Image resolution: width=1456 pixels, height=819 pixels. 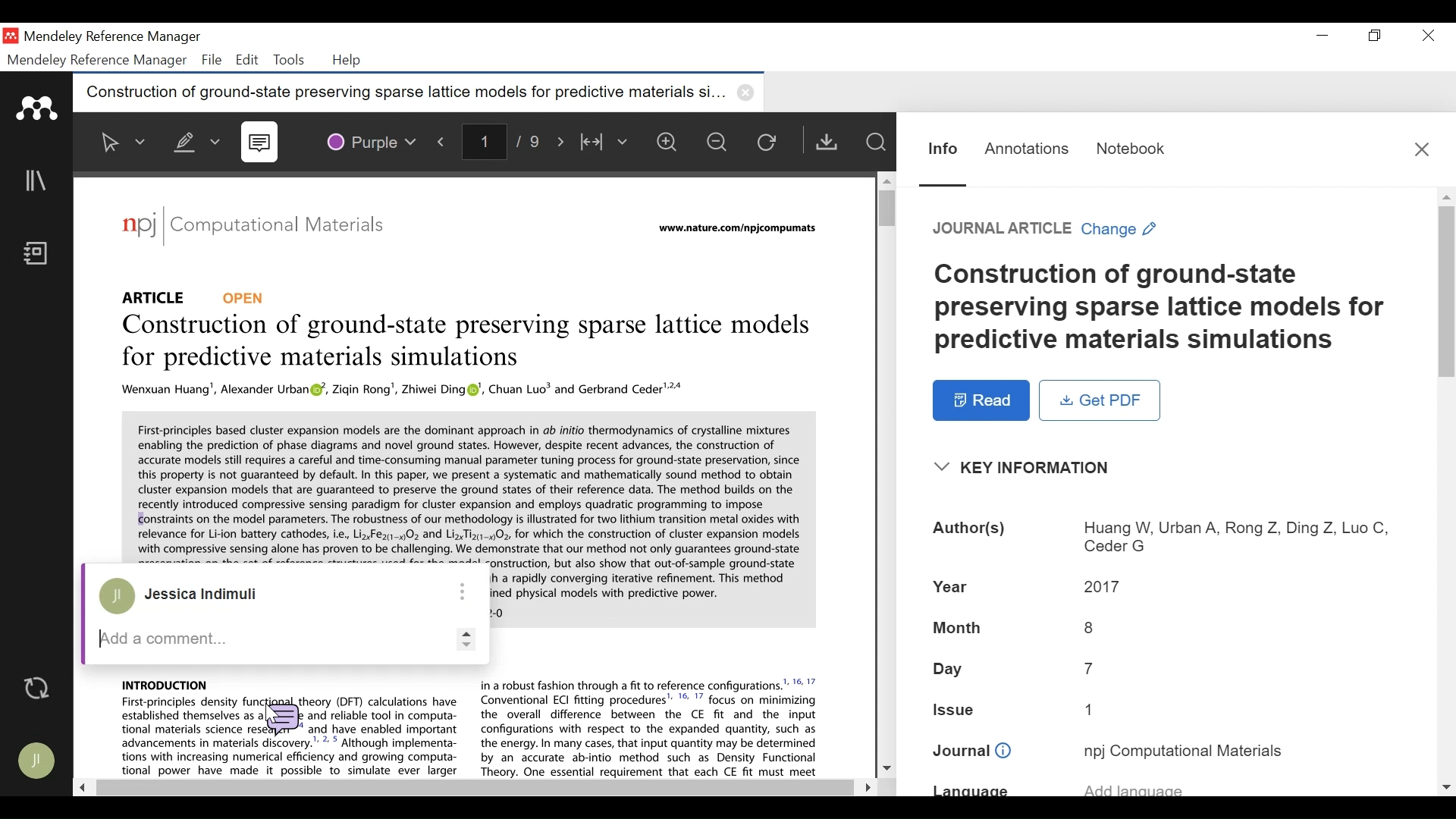 What do you see at coordinates (38, 108) in the screenshot?
I see `Mendeley Logo` at bounding box center [38, 108].